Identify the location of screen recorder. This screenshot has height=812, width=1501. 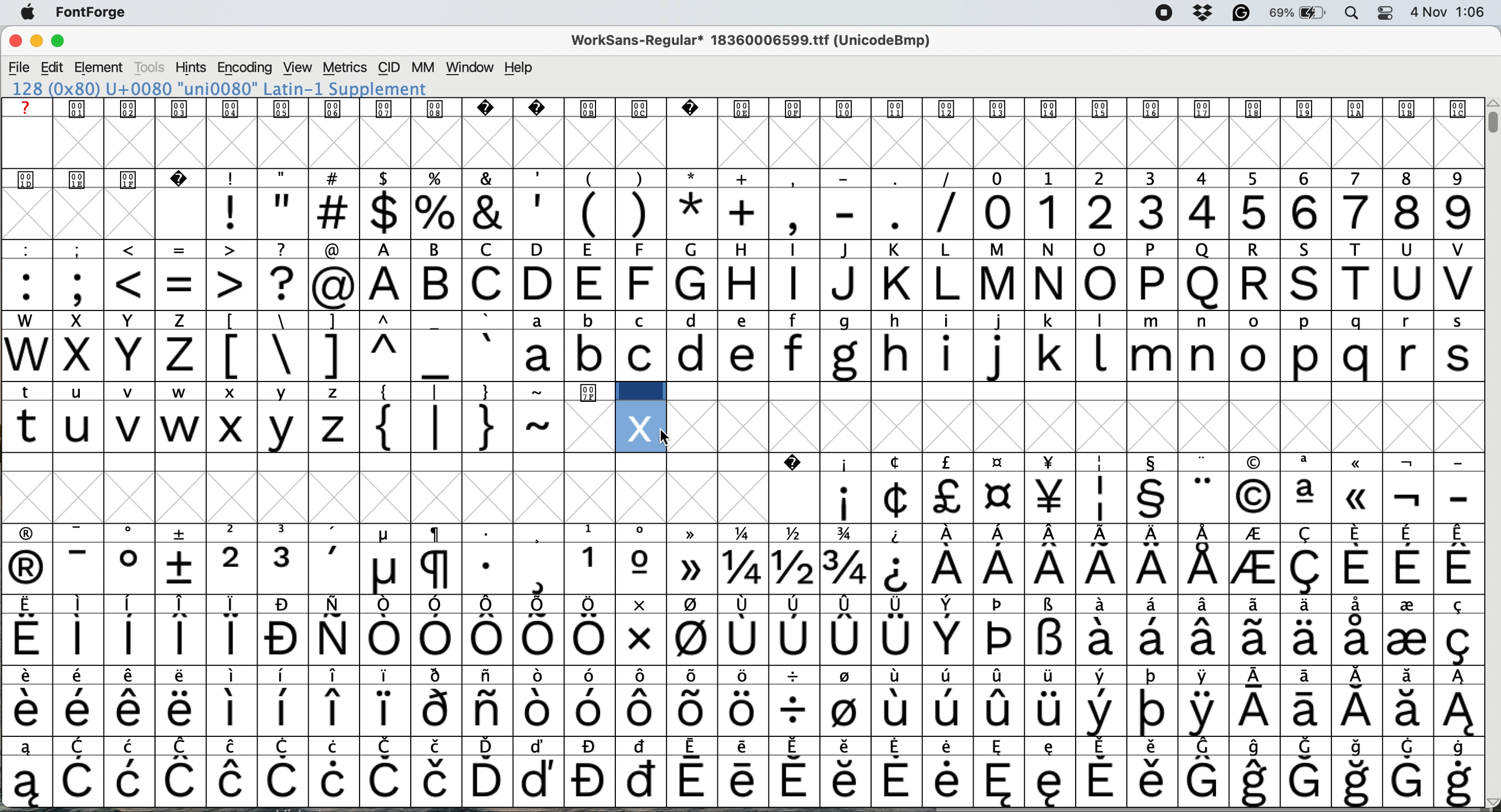
(1160, 13).